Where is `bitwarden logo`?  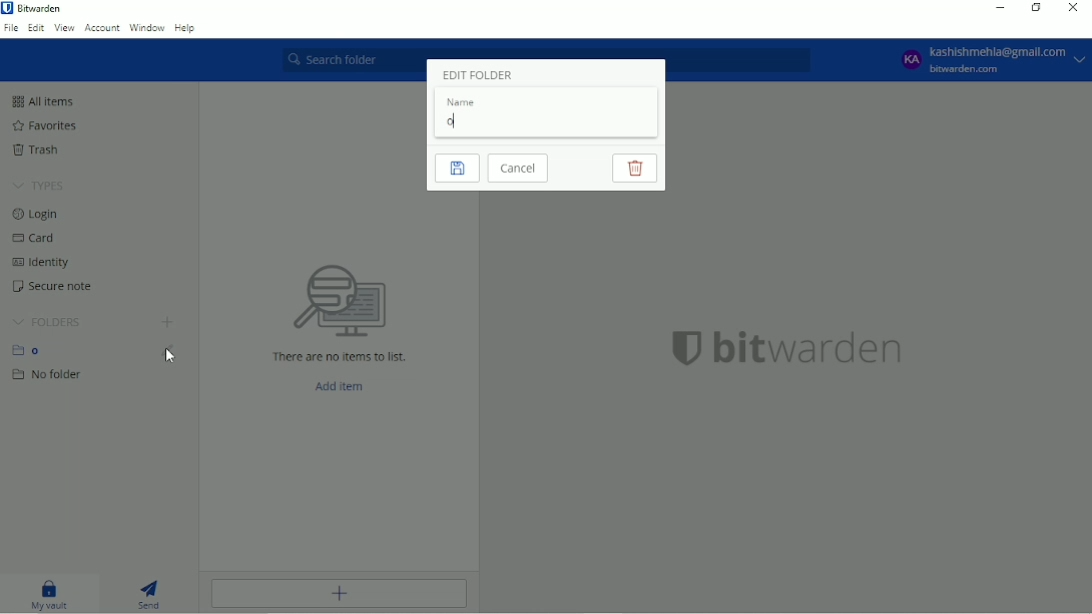
bitwarden logo is located at coordinates (679, 346).